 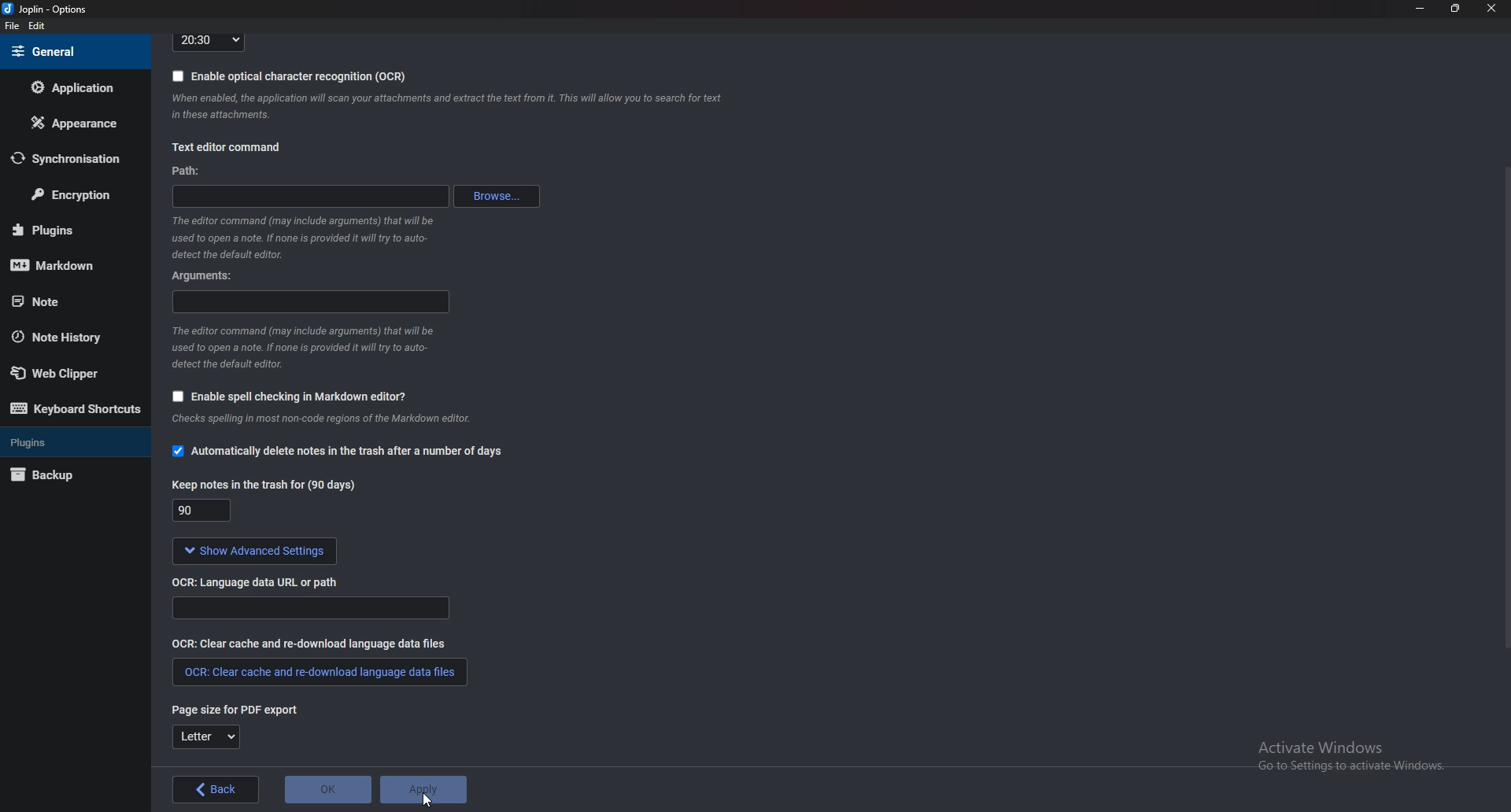 I want to click on Letter, so click(x=206, y=739).